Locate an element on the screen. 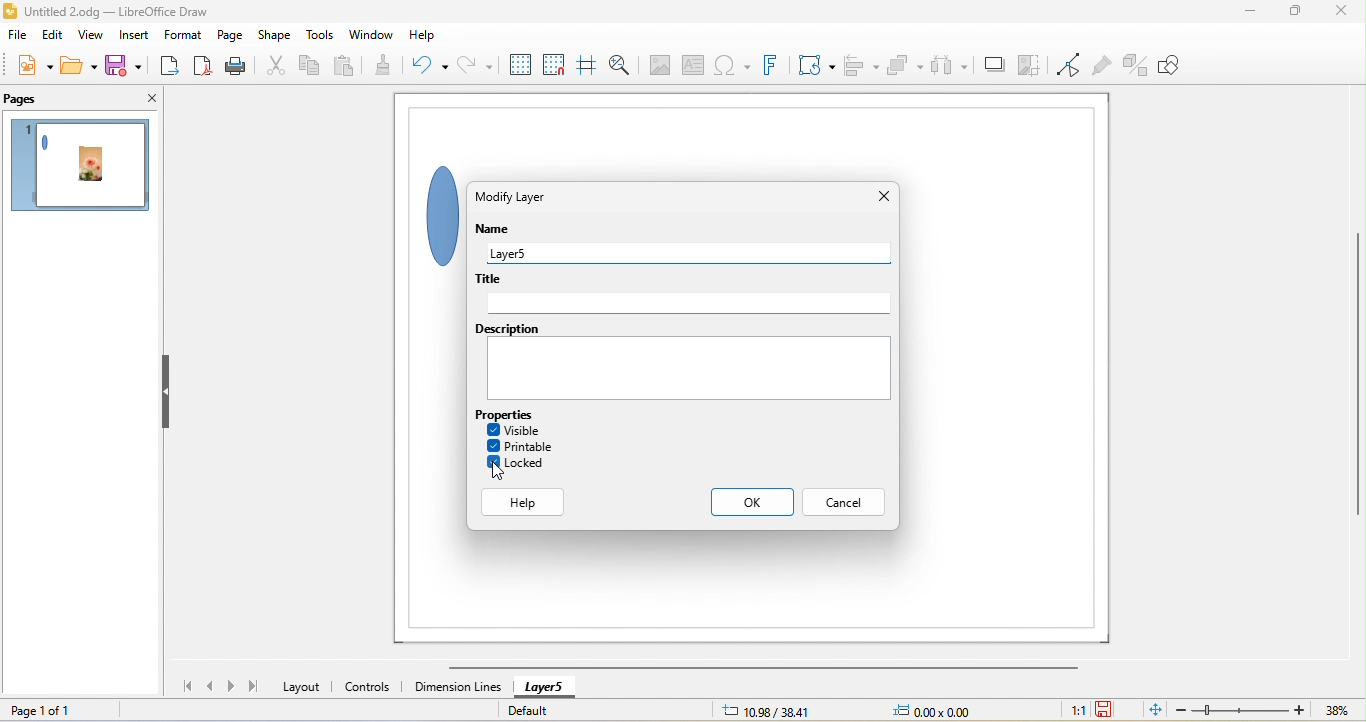 The height and width of the screenshot is (722, 1366). special character is located at coordinates (730, 67).